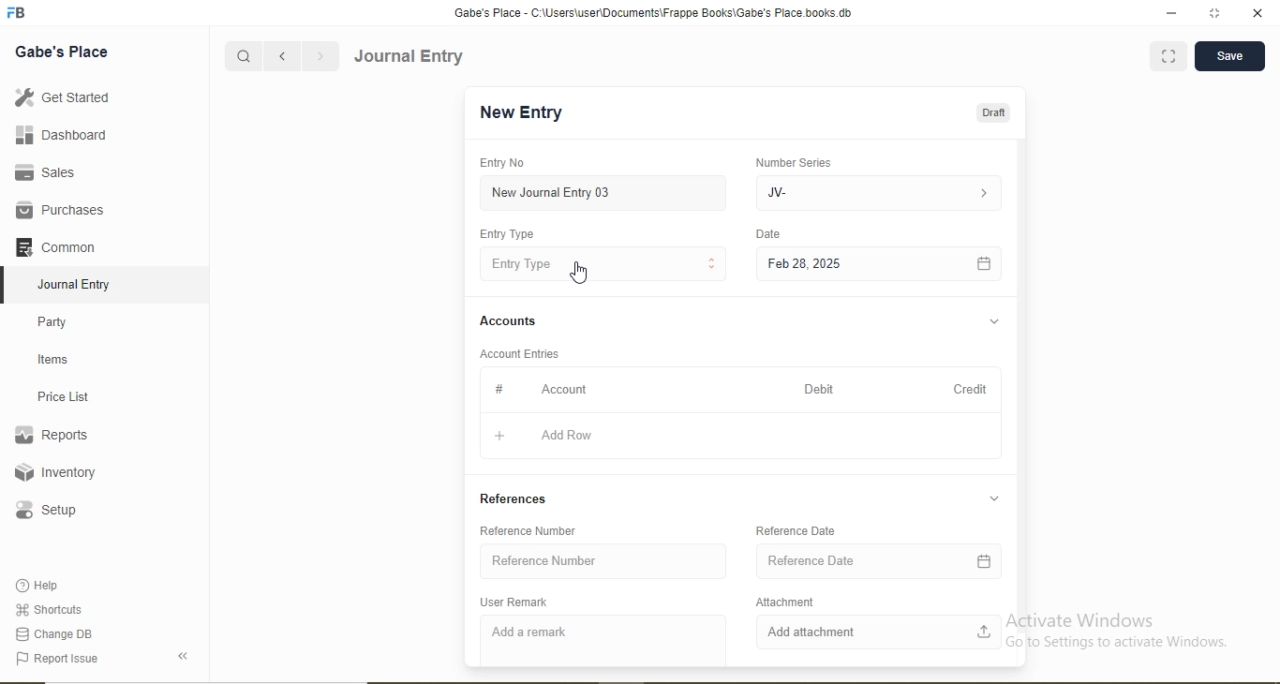  Describe the element at coordinates (45, 510) in the screenshot. I see `Setup` at that location.